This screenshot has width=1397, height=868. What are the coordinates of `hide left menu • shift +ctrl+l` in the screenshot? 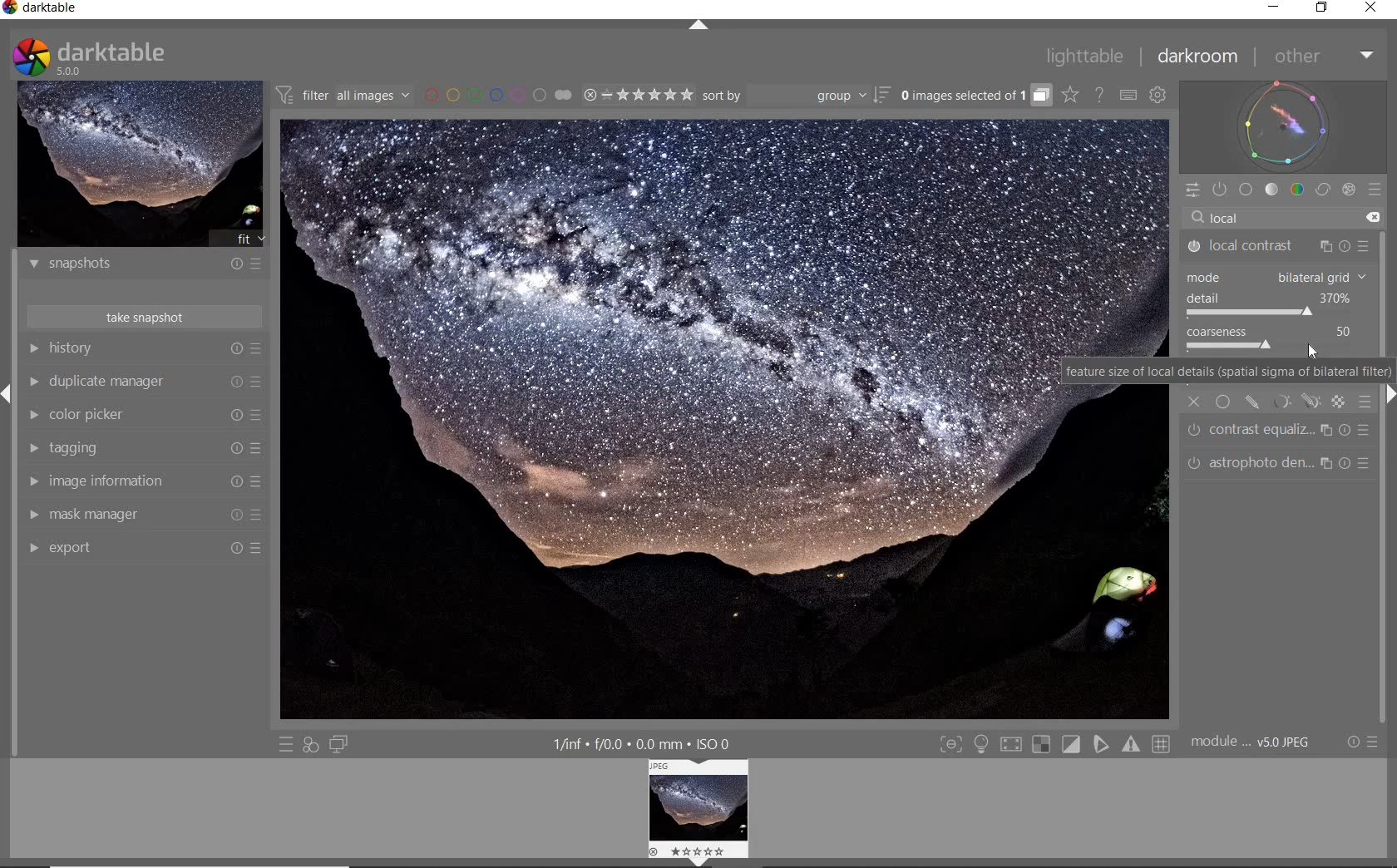 It's located at (8, 392).